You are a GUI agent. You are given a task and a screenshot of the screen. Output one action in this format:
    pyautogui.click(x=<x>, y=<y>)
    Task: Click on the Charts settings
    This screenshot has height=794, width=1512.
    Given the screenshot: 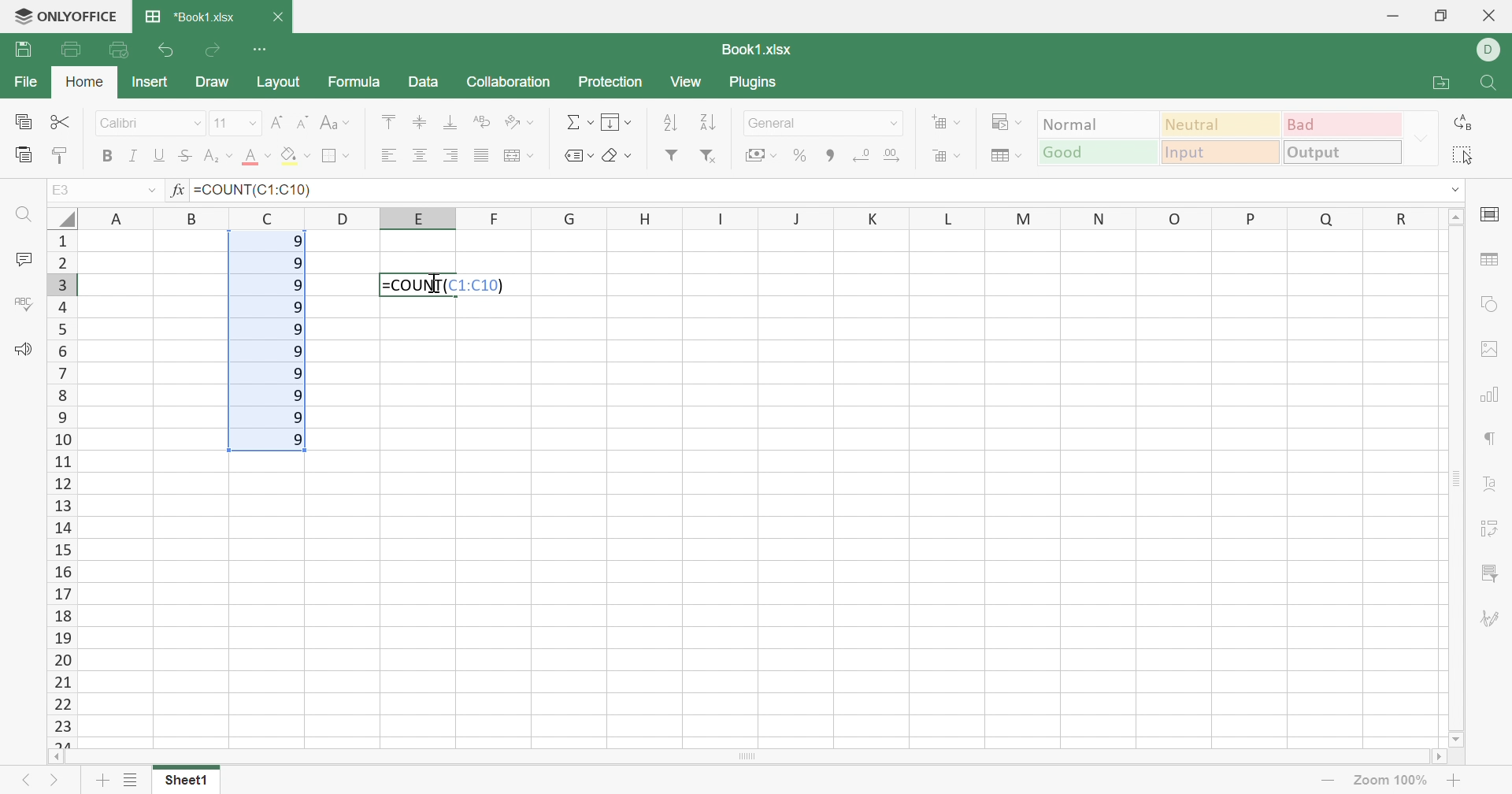 What is the action you would take?
    pyautogui.click(x=1492, y=396)
    